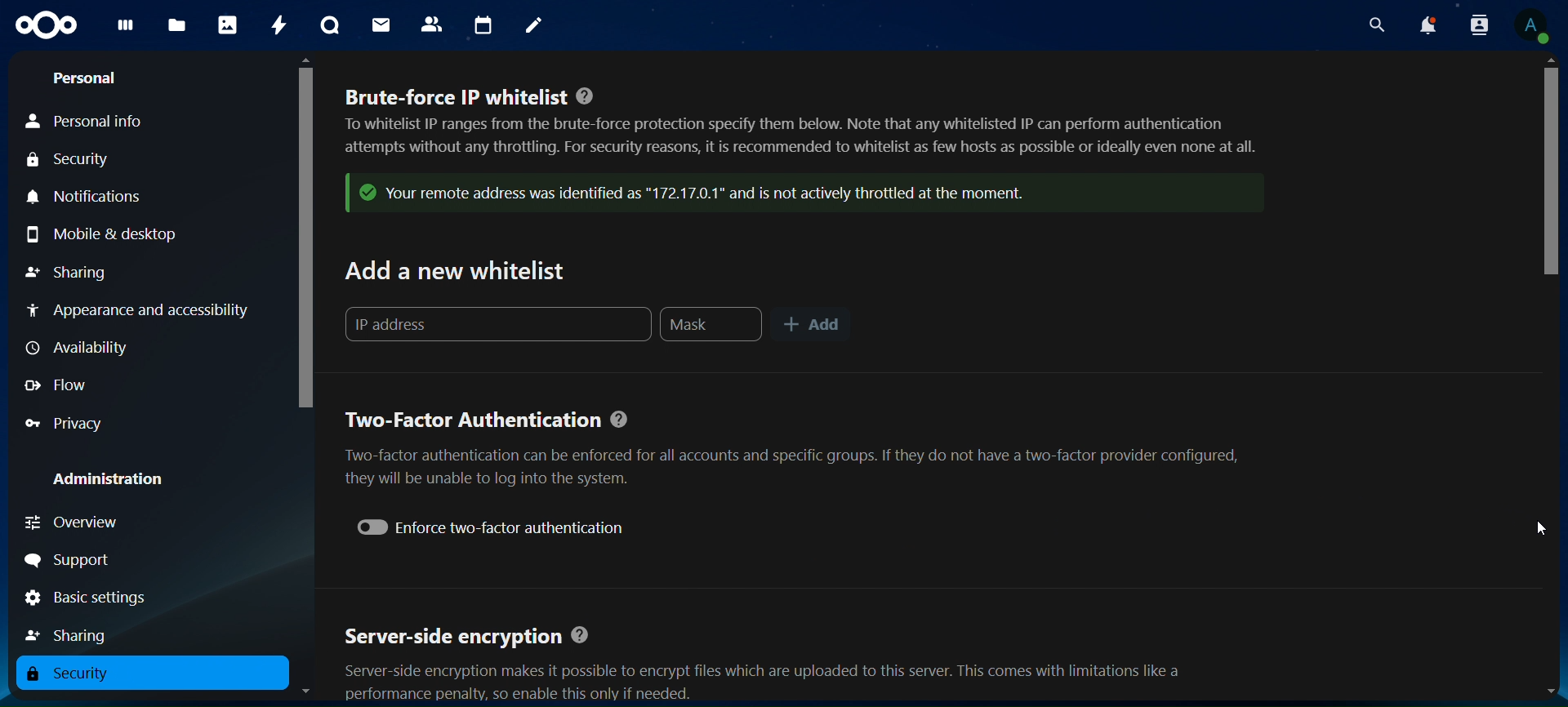 The height and width of the screenshot is (707, 1568). Describe the element at coordinates (227, 24) in the screenshot. I see `photos` at that location.